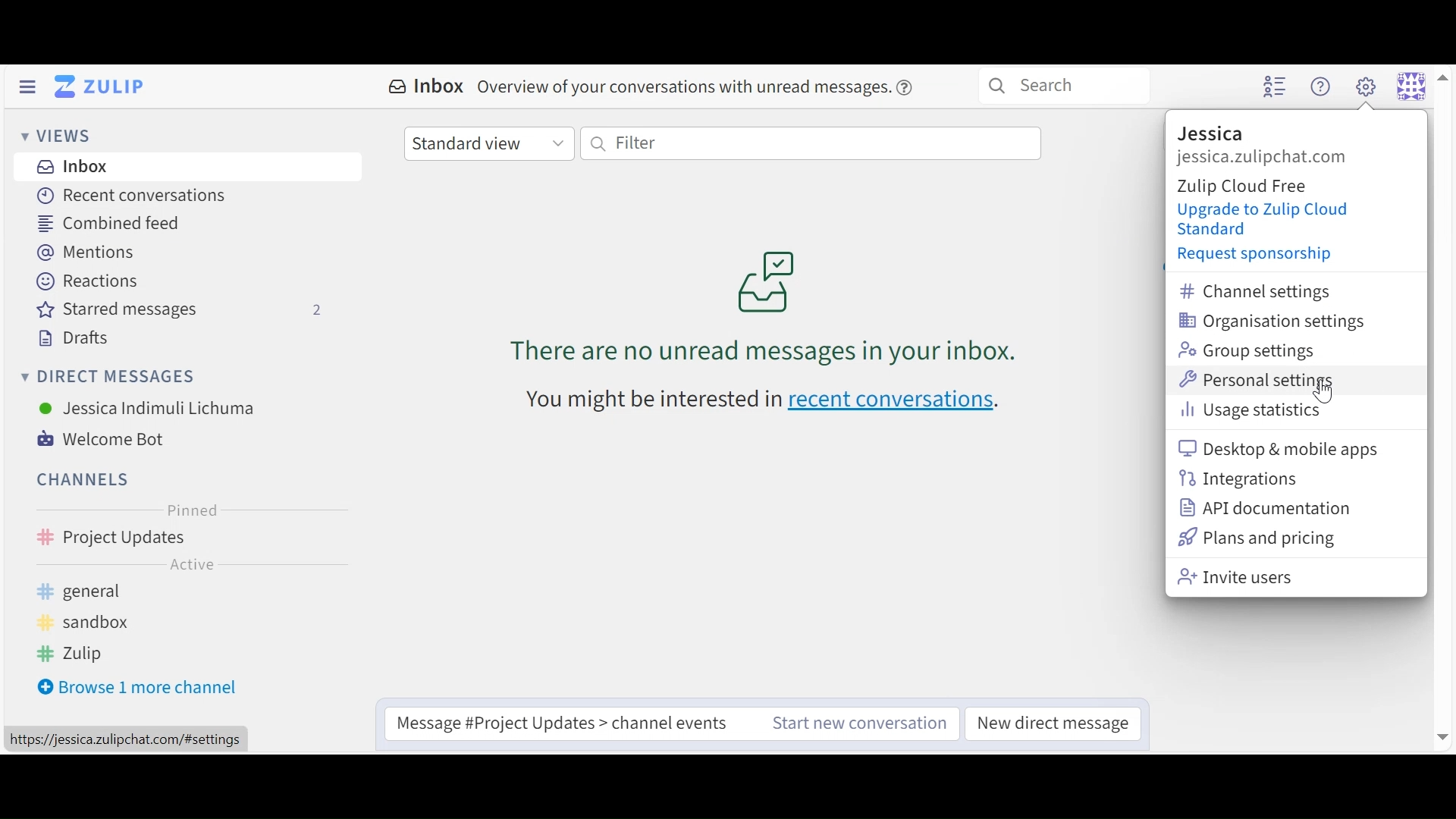  I want to click on User, so click(149, 408).